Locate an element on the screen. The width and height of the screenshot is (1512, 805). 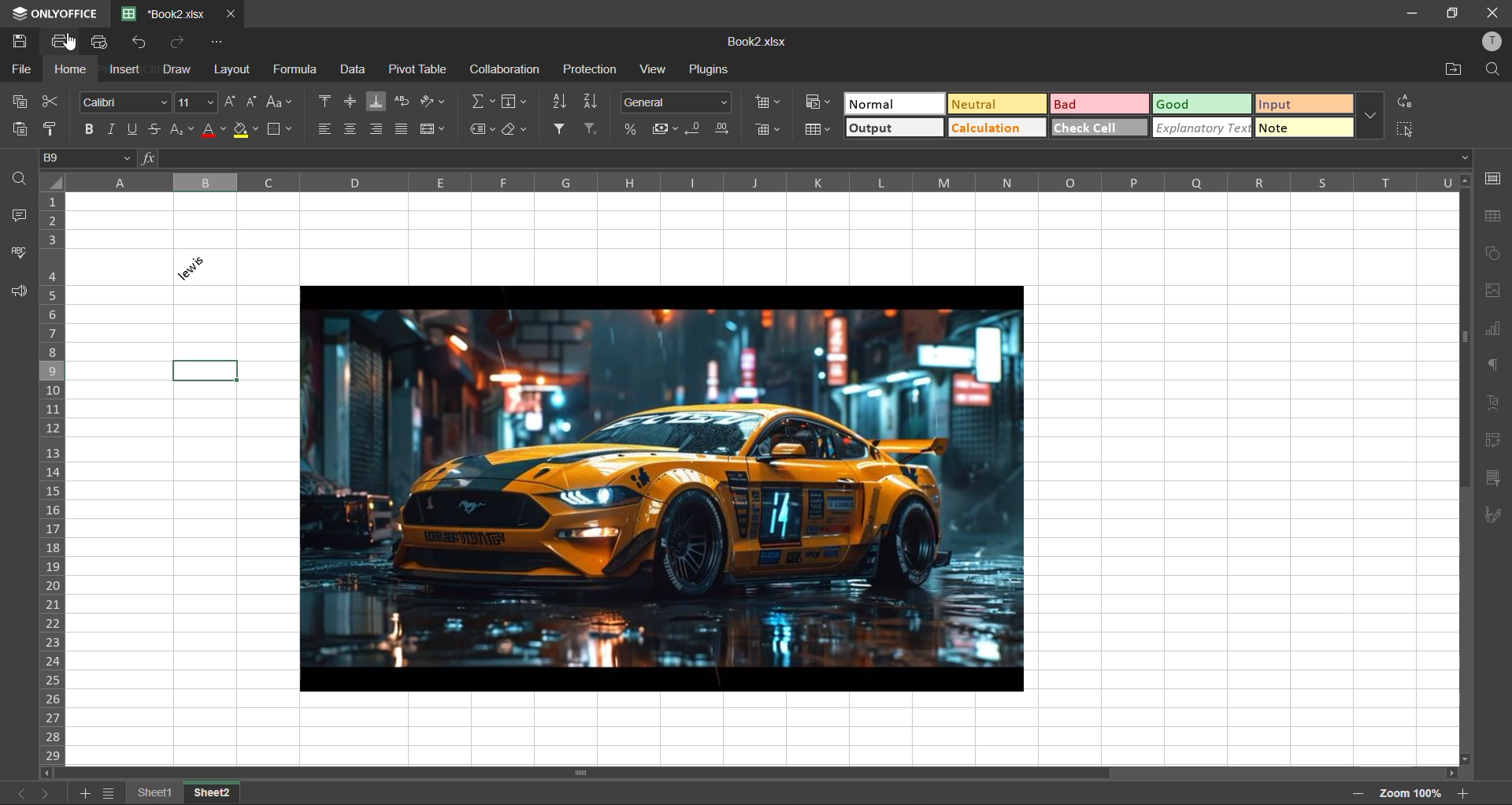
conditional formatting is located at coordinates (818, 104).